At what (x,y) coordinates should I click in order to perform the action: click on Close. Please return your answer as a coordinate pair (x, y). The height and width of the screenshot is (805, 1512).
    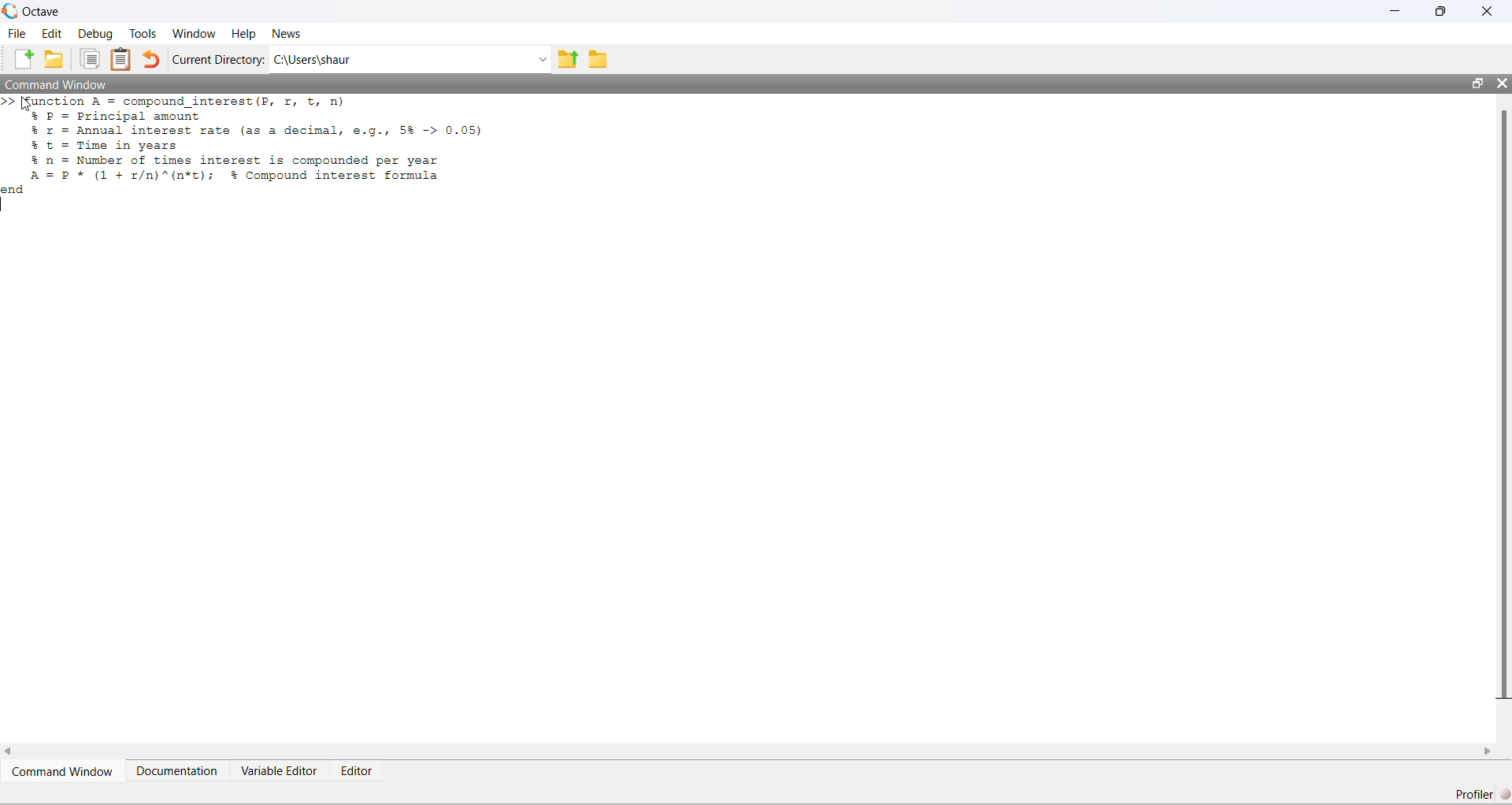
    Looking at the image, I should click on (1501, 83).